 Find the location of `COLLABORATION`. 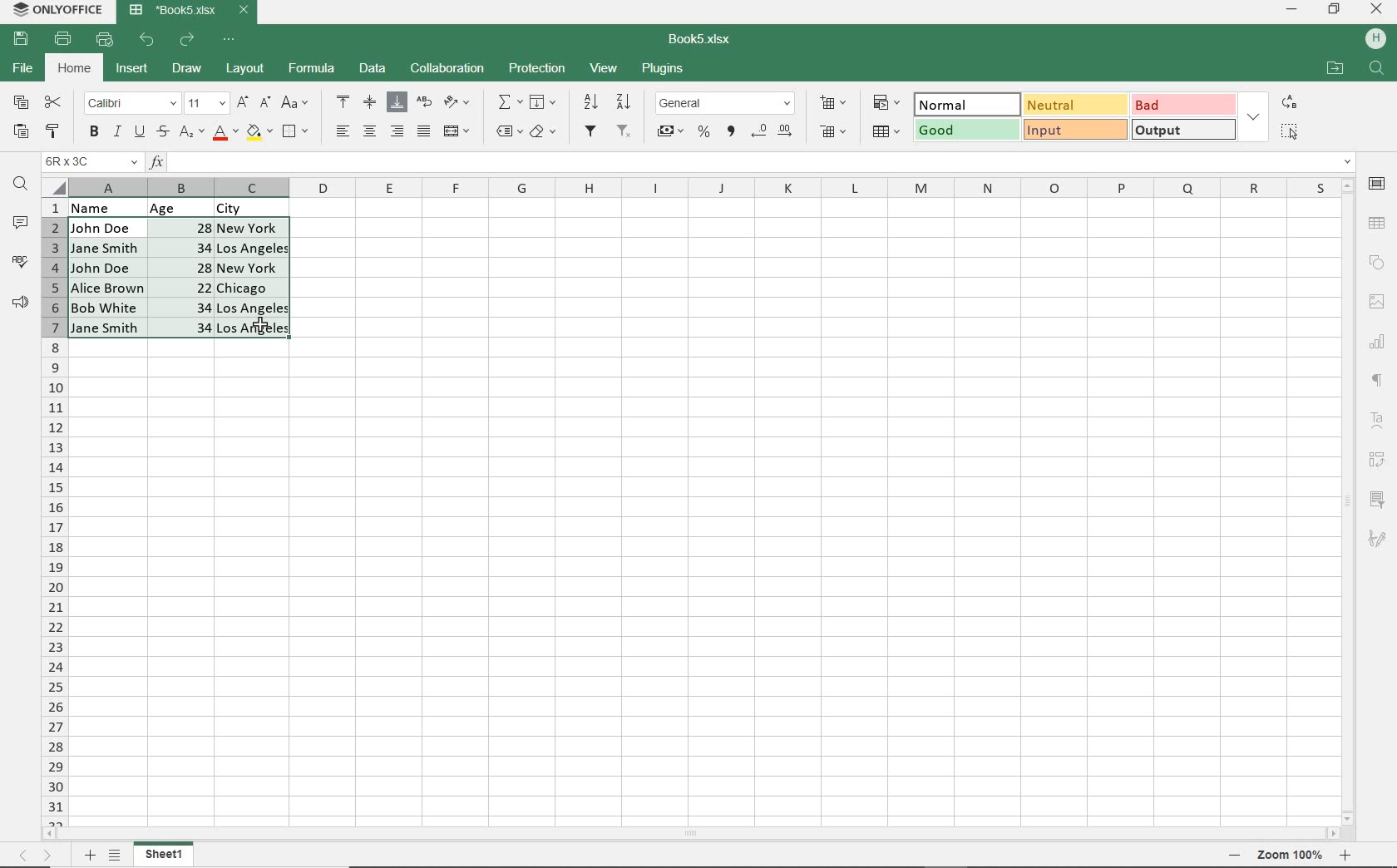

COLLABORATION is located at coordinates (446, 69).